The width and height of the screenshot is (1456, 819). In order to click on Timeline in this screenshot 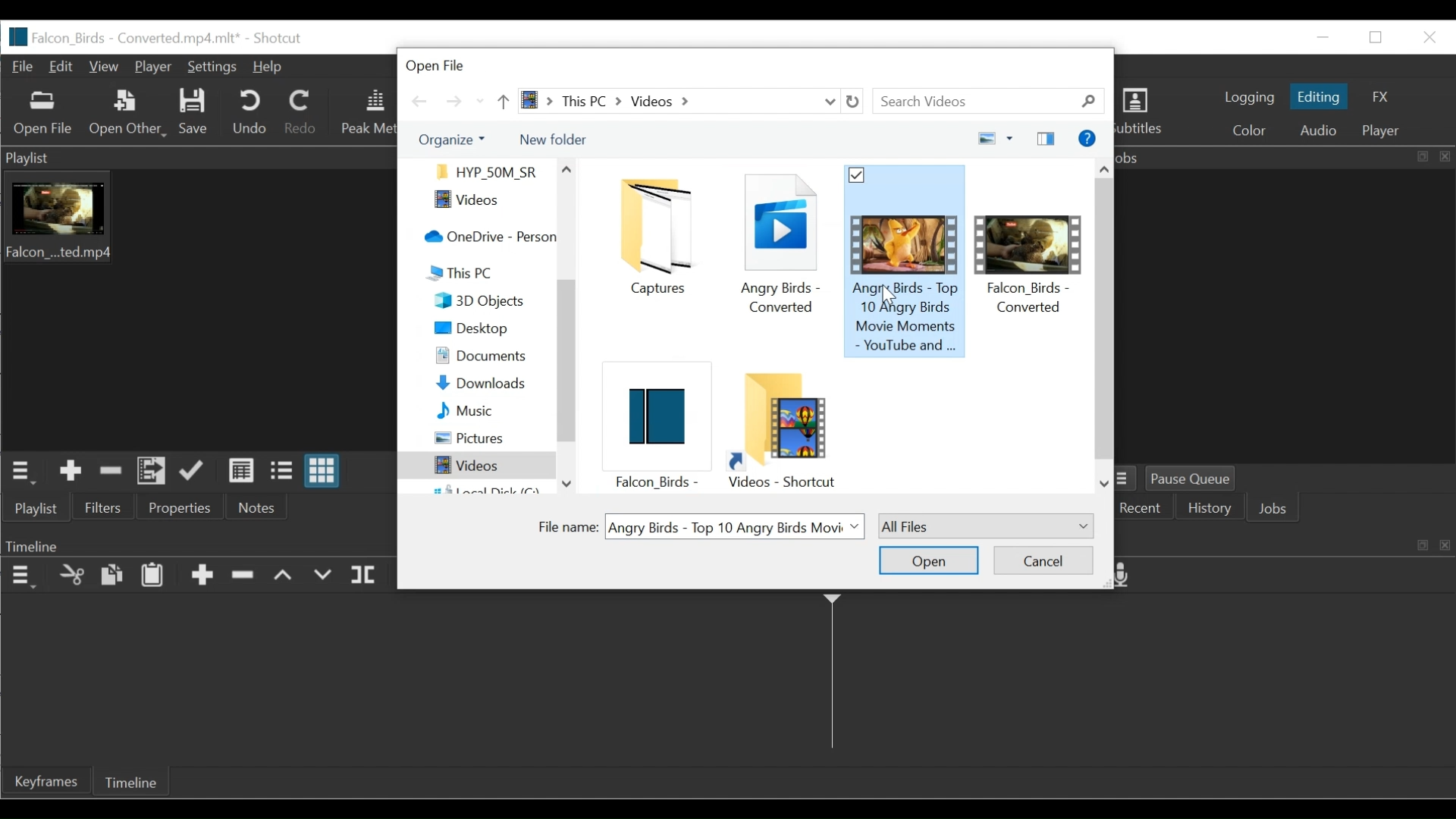, I will do `click(130, 781)`.